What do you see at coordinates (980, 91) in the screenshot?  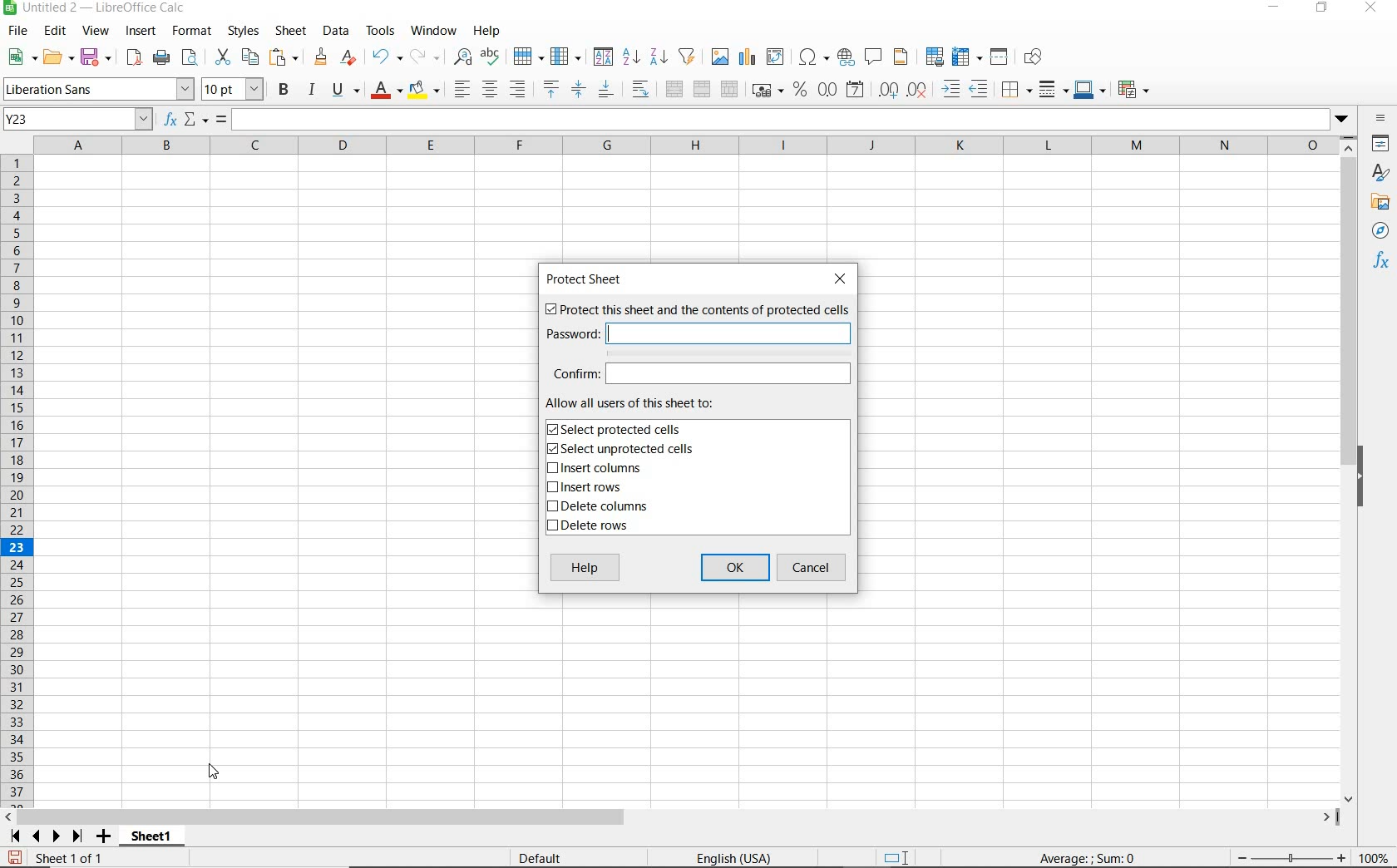 I see `DECREASE INDENT` at bounding box center [980, 91].